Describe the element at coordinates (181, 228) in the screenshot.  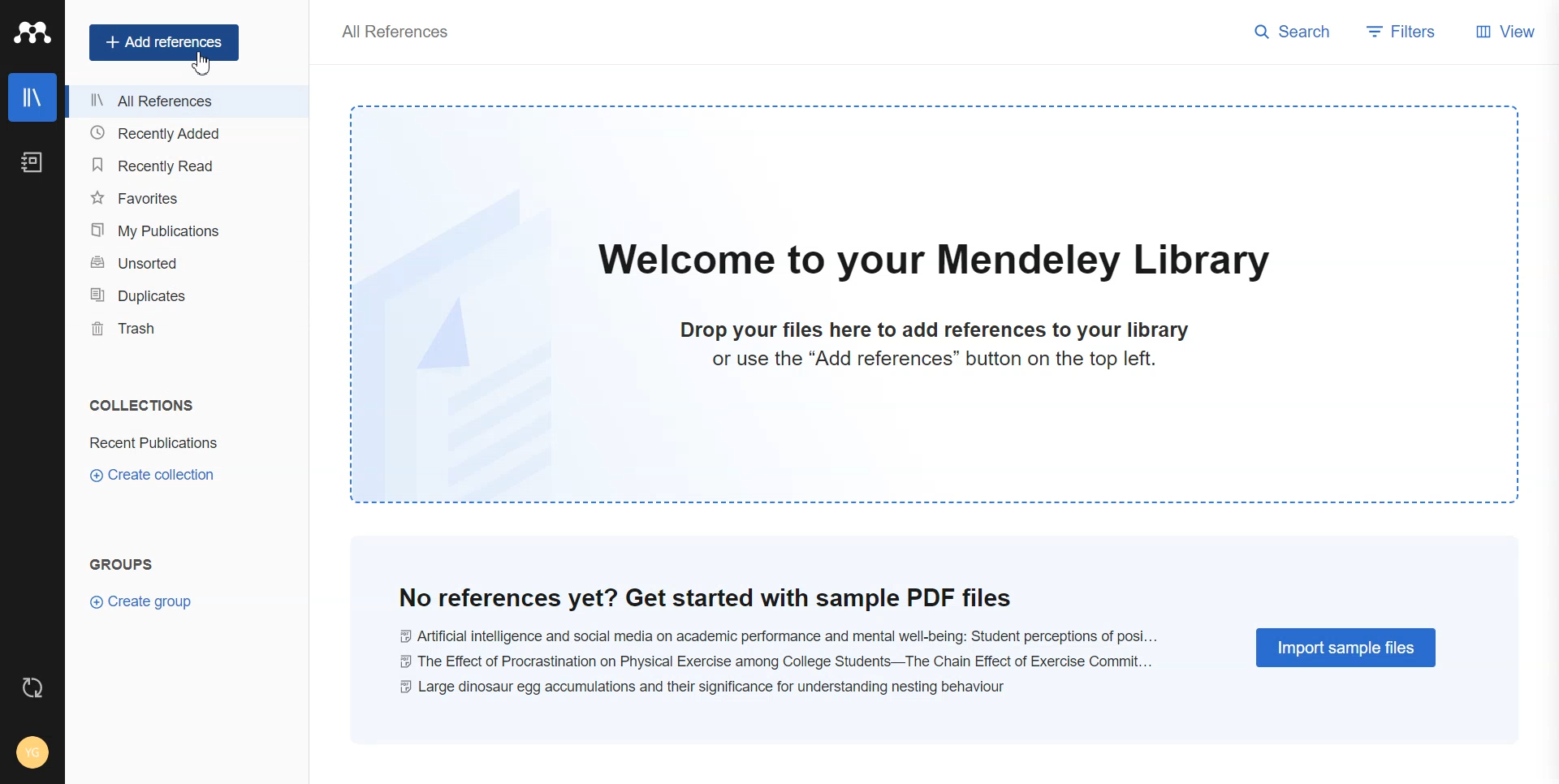
I see `My Publication` at that location.